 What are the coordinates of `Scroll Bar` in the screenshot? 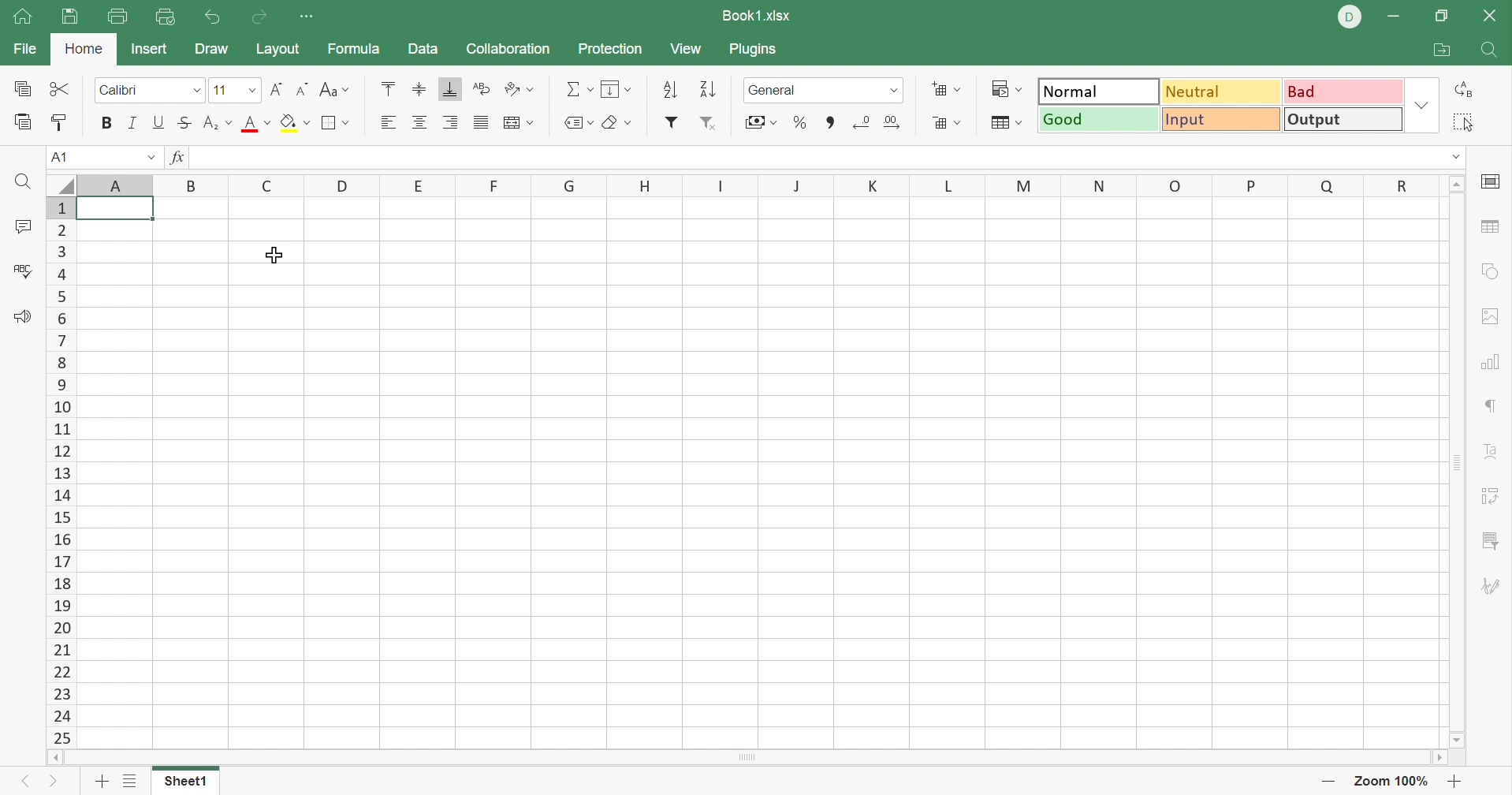 It's located at (748, 757).